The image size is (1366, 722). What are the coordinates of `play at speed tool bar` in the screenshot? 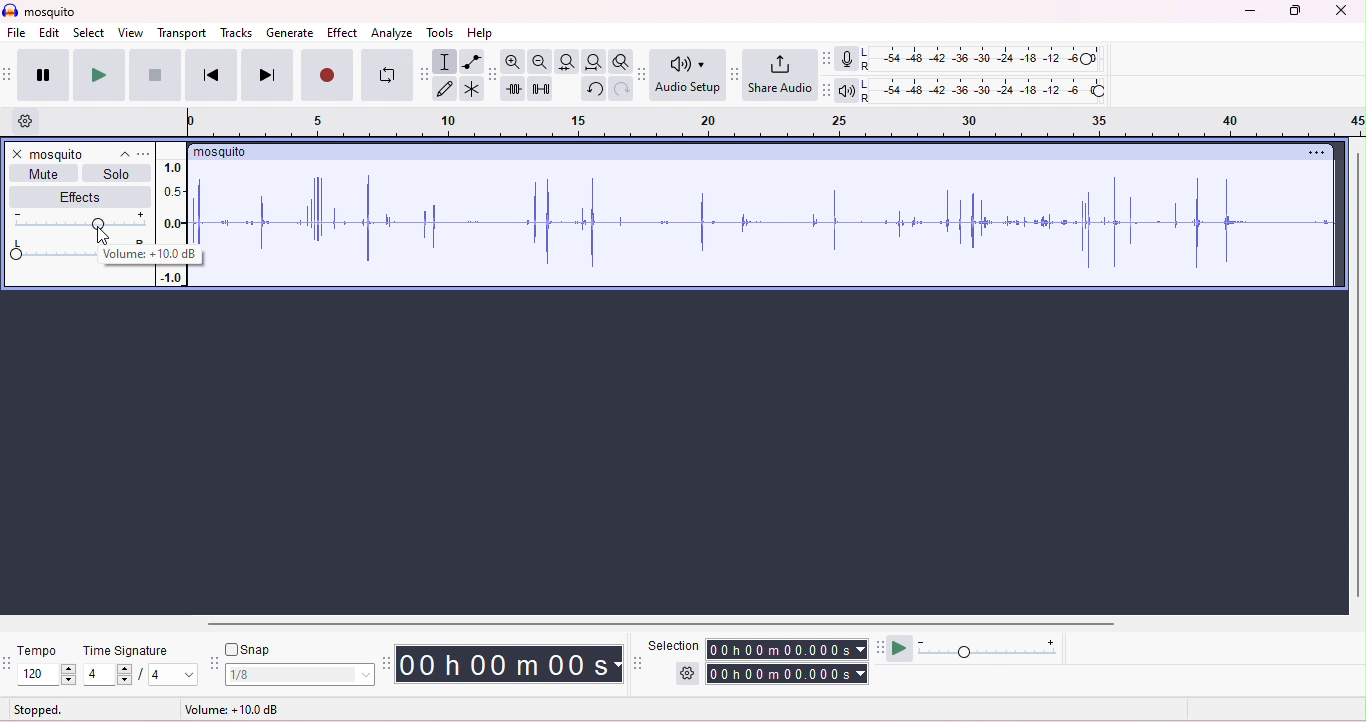 It's located at (879, 647).